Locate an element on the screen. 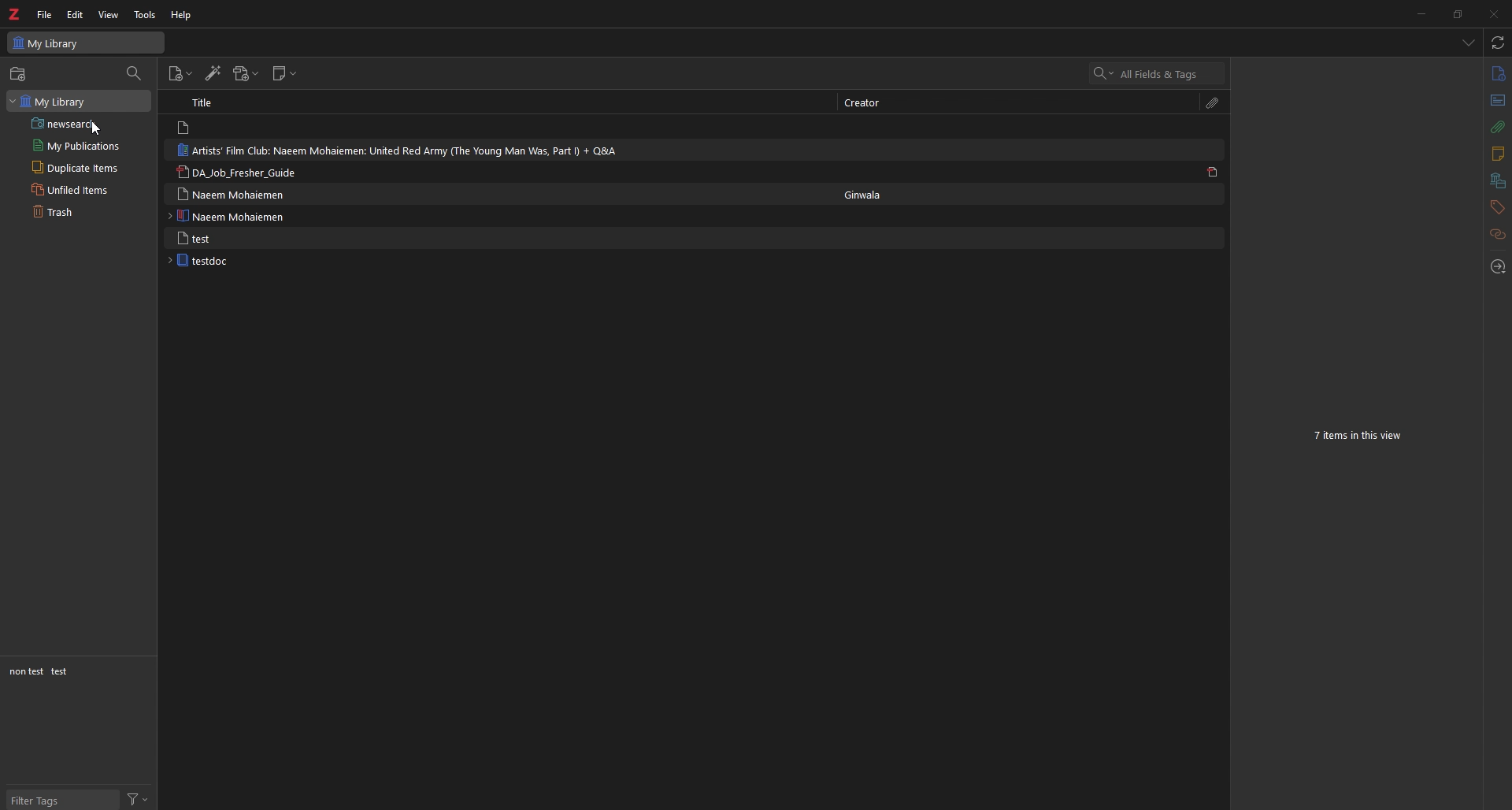 The width and height of the screenshot is (1512, 810). info is located at coordinates (1495, 75).